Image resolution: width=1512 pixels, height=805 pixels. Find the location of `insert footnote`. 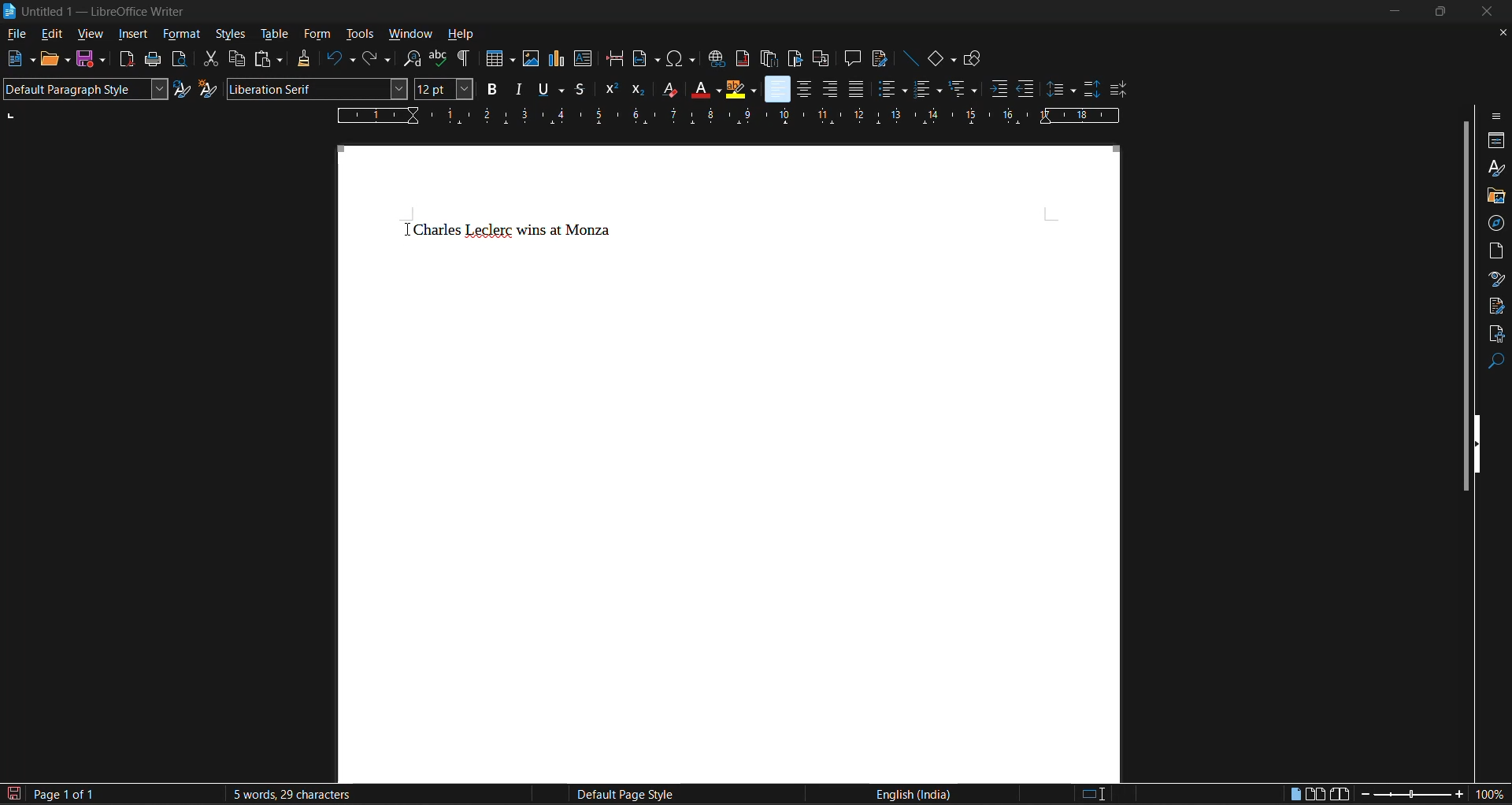

insert footnote is located at coordinates (742, 58).